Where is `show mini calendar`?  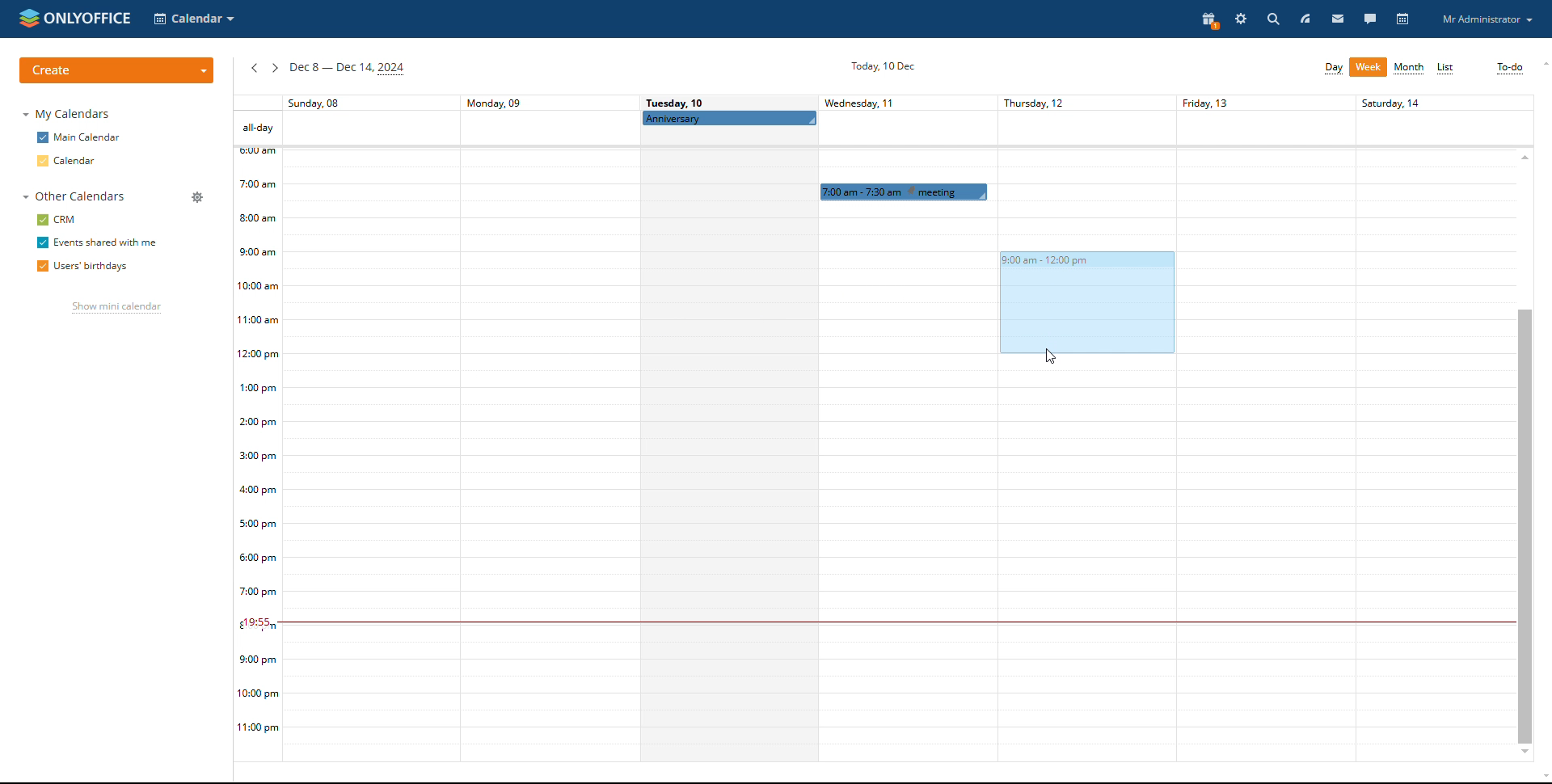 show mini calendar is located at coordinates (113, 310).